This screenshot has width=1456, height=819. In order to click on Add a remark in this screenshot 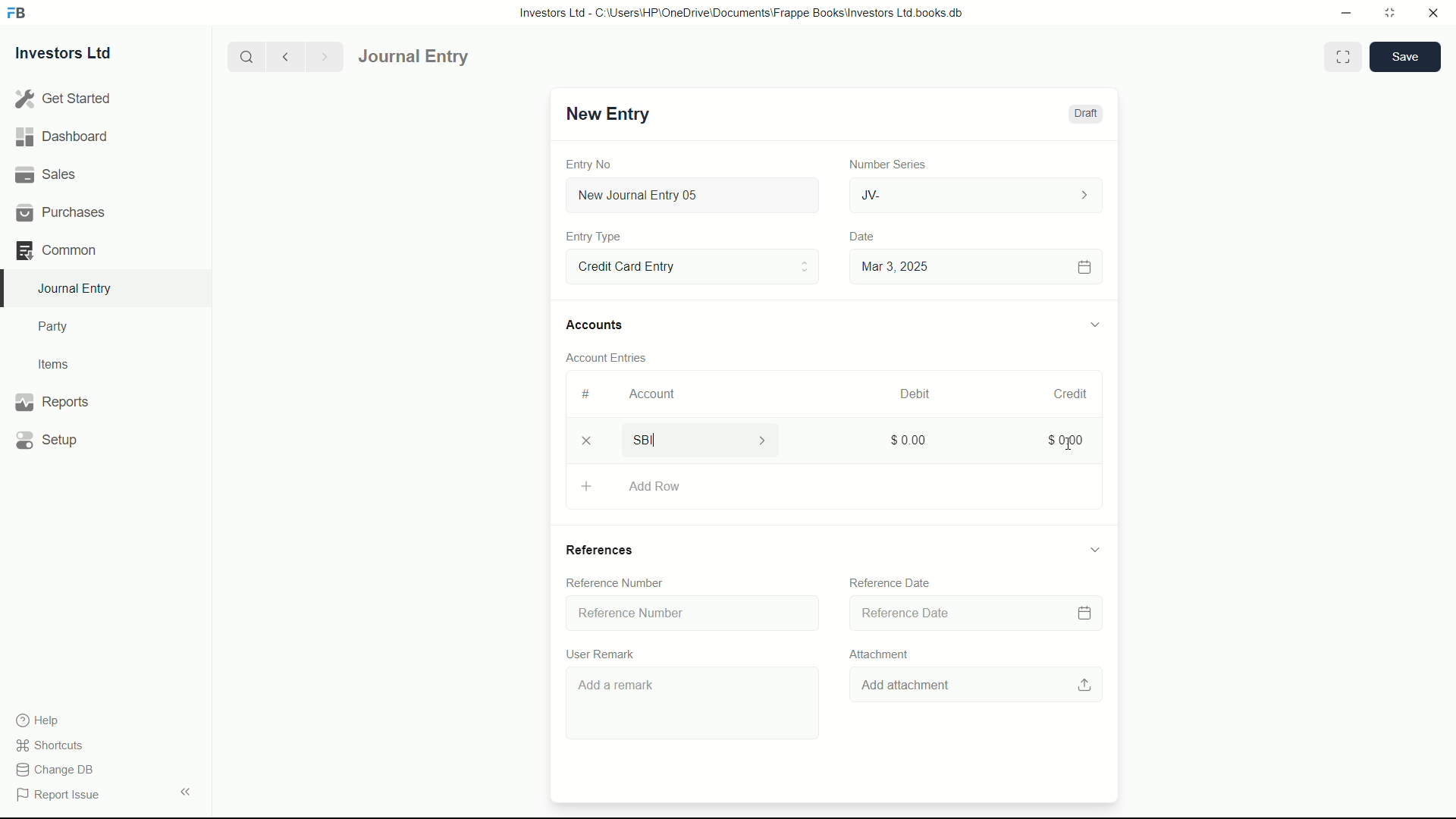, I will do `click(695, 705)`.